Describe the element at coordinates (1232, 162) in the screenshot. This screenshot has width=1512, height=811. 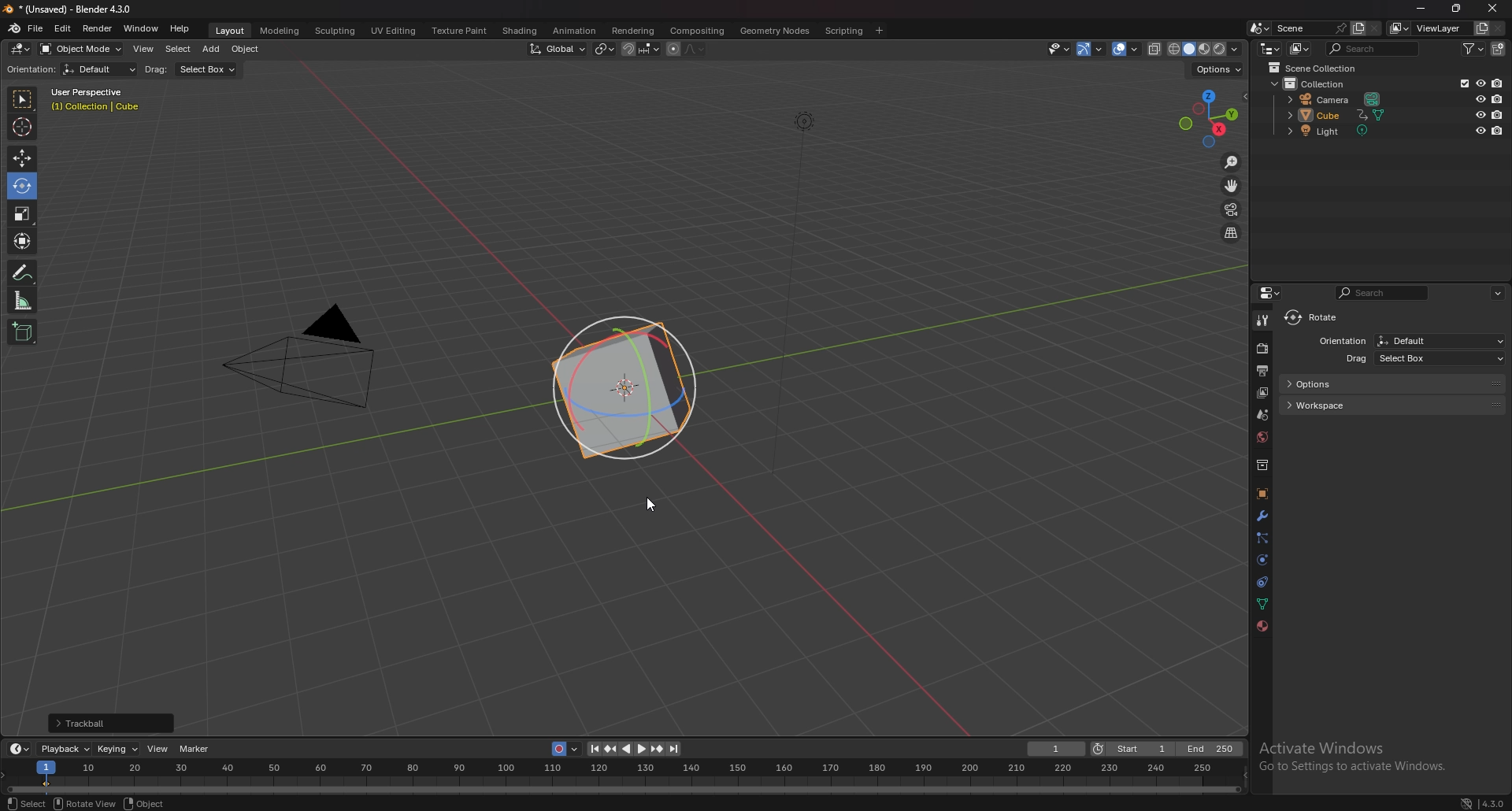
I see `zoom` at that location.